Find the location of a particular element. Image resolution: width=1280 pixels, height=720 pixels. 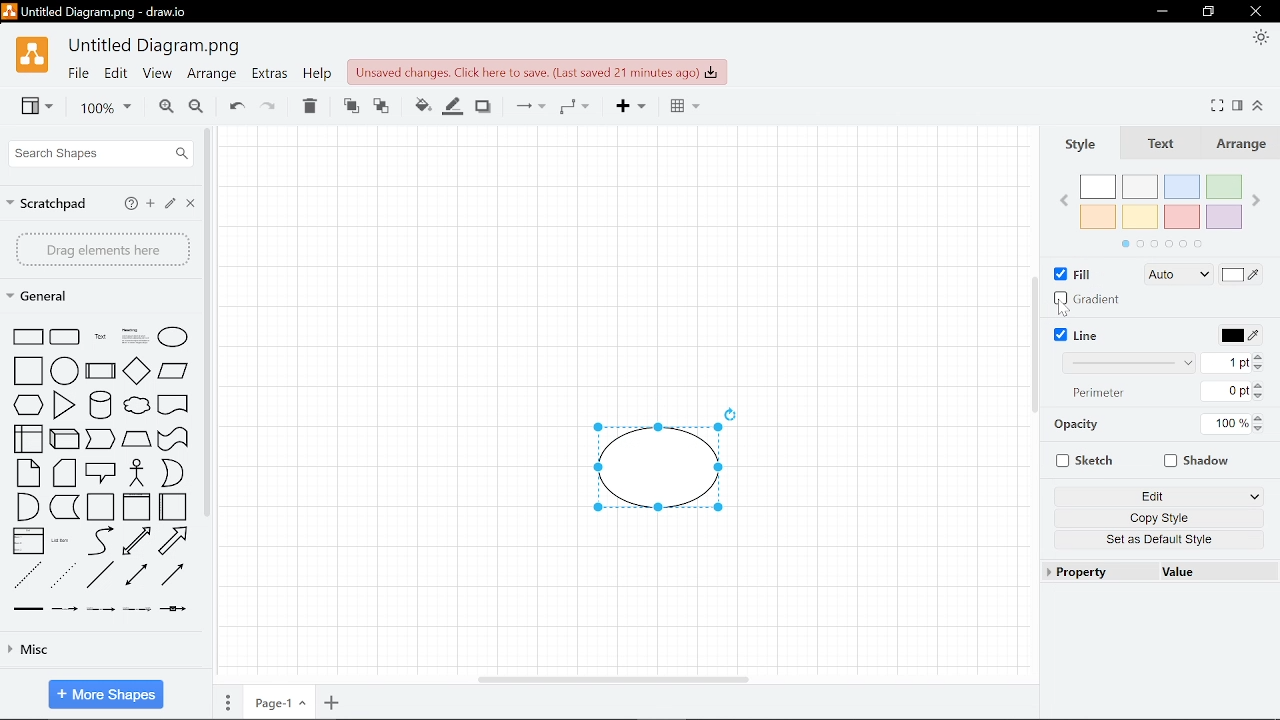

Search shapes is located at coordinates (103, 153).